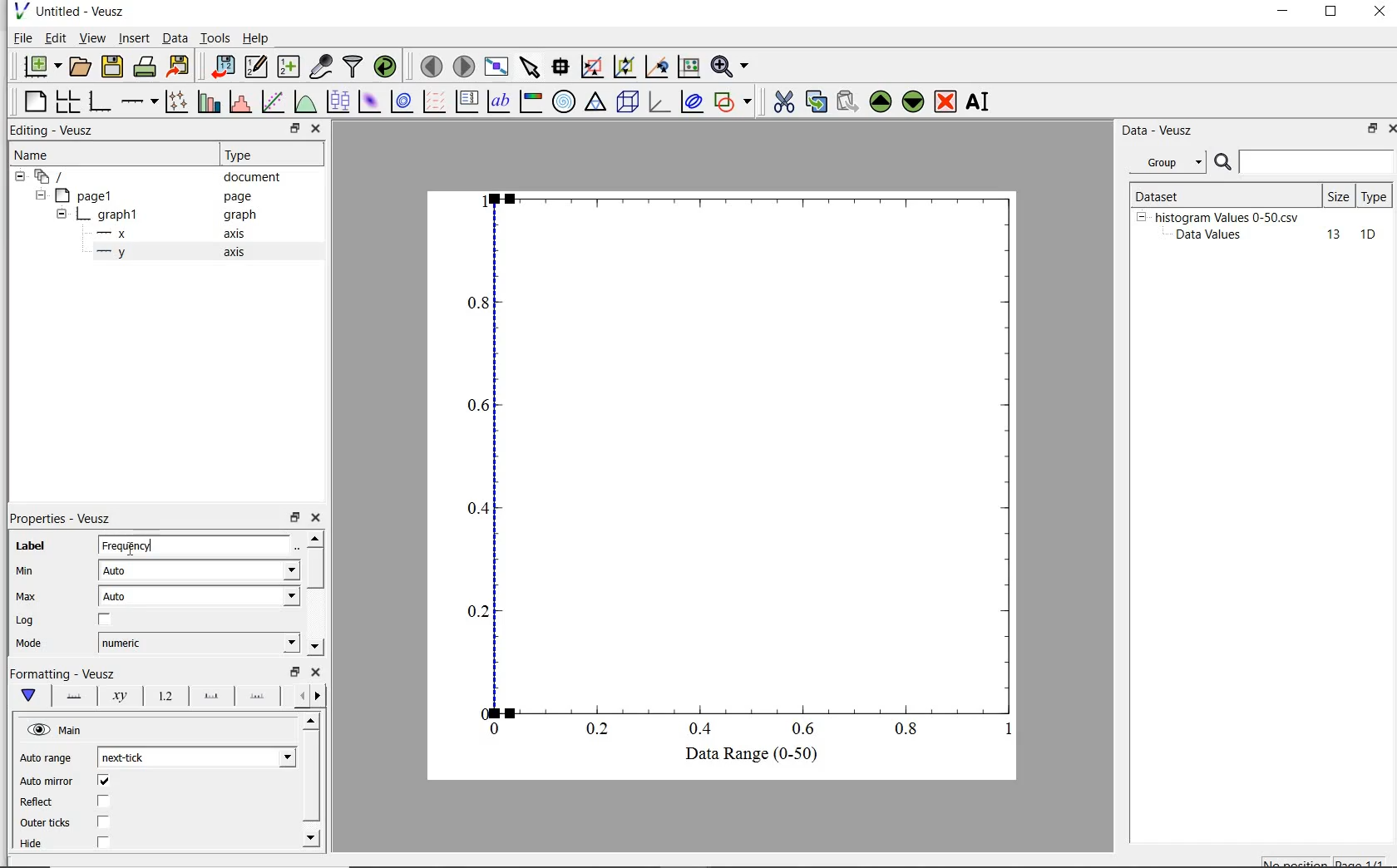 This screenshot has width=1397, height=868. I want to click on current document, so click(52, 177).